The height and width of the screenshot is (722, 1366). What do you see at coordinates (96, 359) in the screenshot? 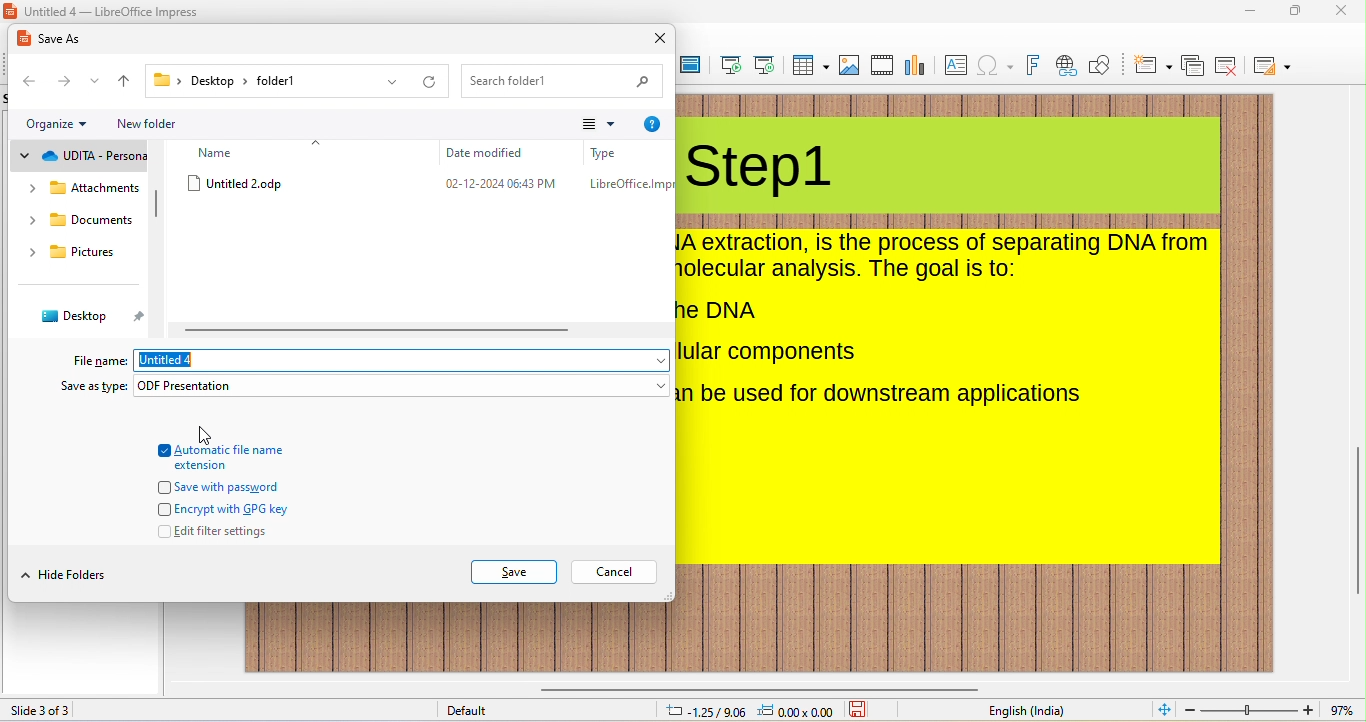
I see `file name` at bounding box center [96, 359].